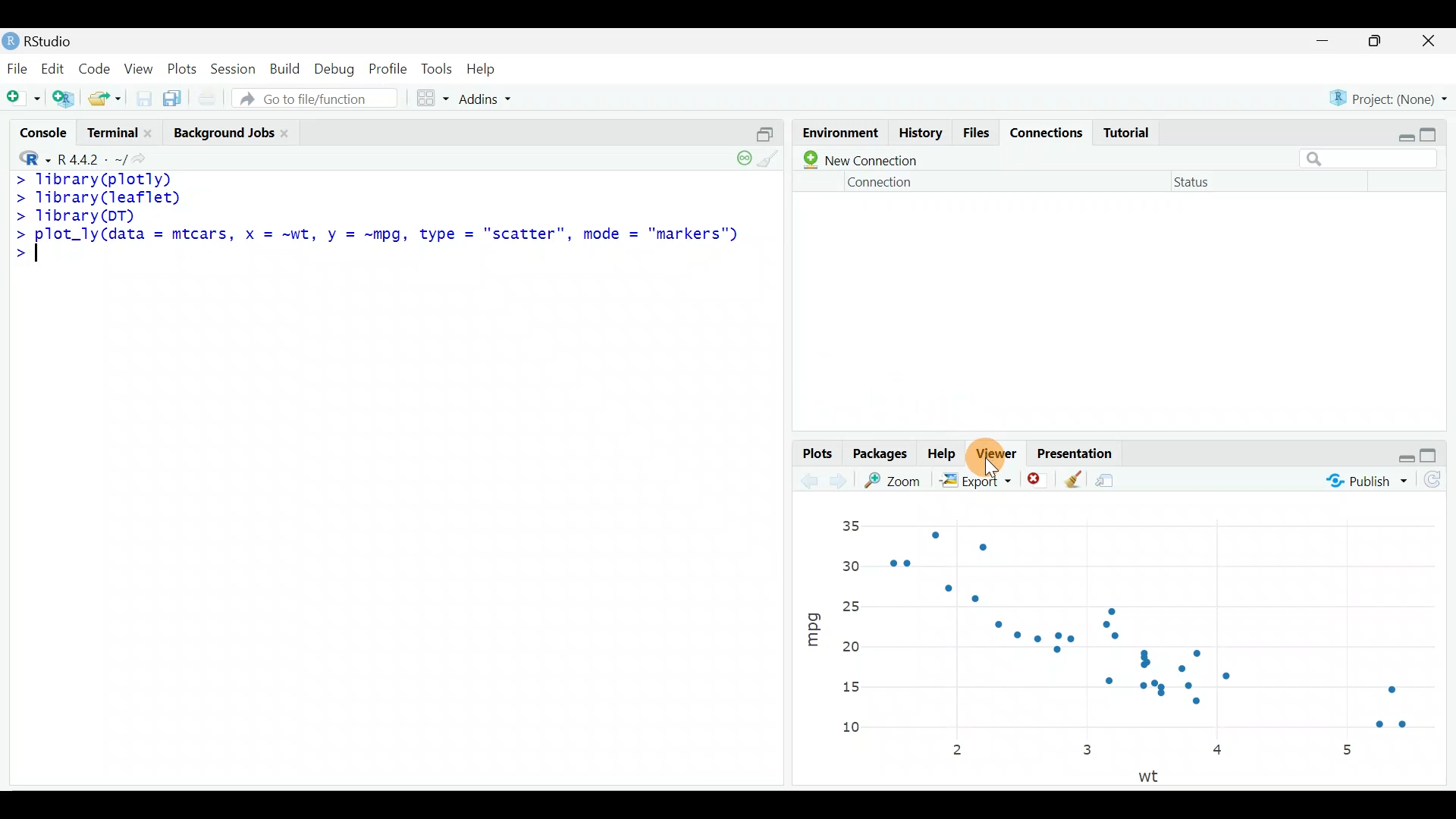 This screenshot has height=819, width=1456. Describe the element at coordinates (182, 66) in the screenshot. I see `Plots` at that location.